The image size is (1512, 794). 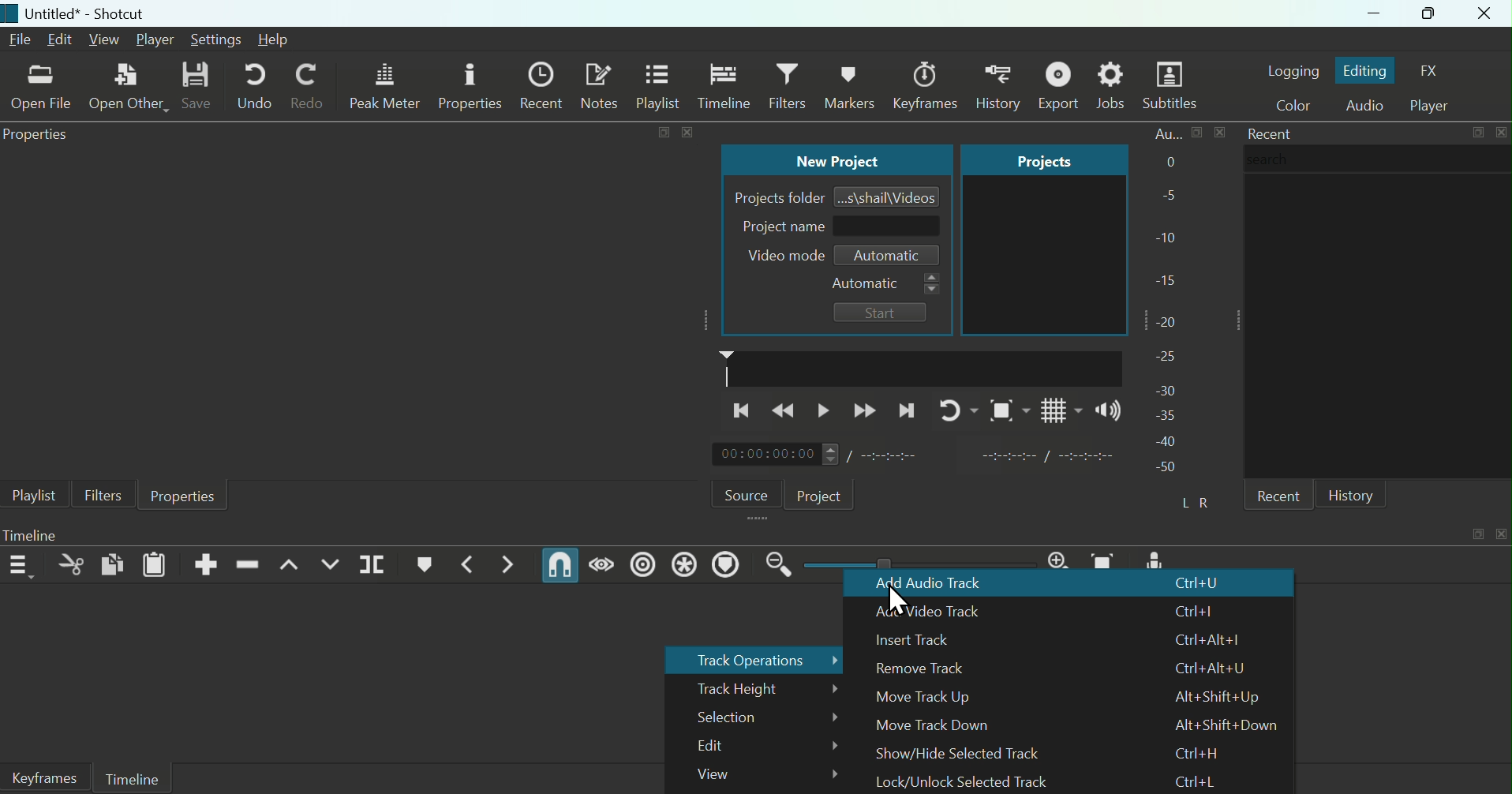 I want to click on -35, so click(x=1163, y=414).